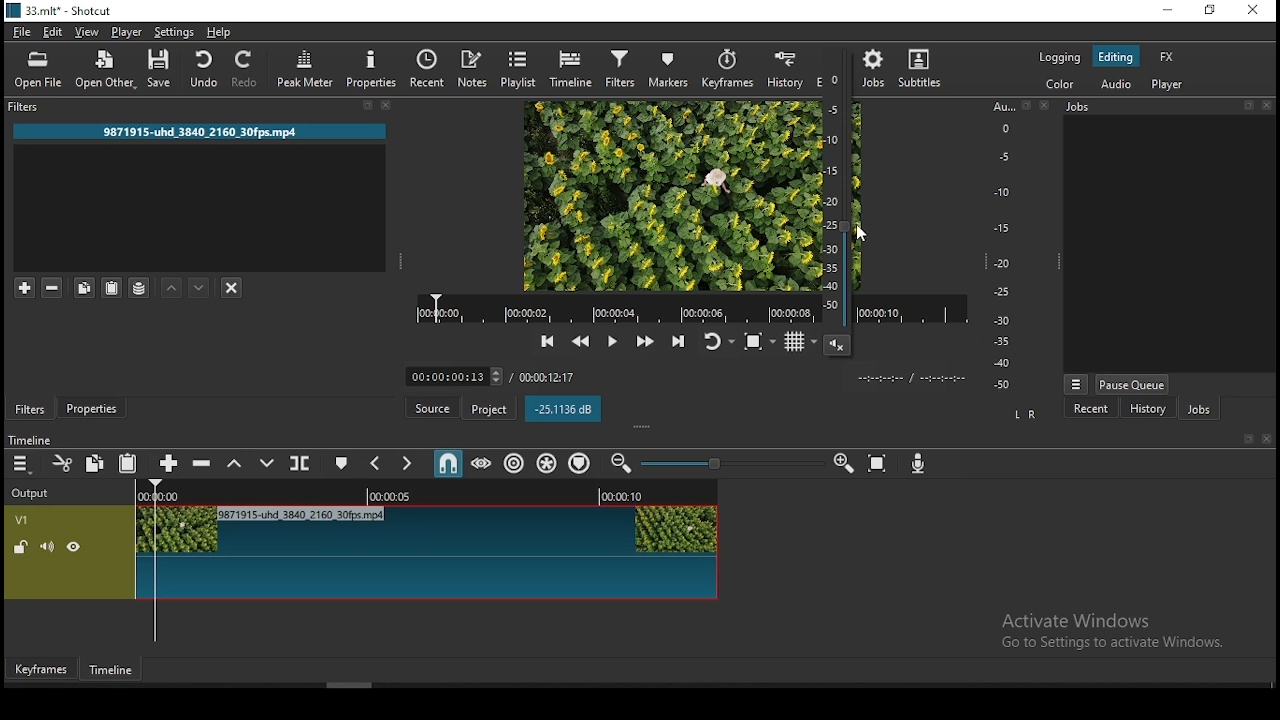  I want to click on snap, so click(448, 466).